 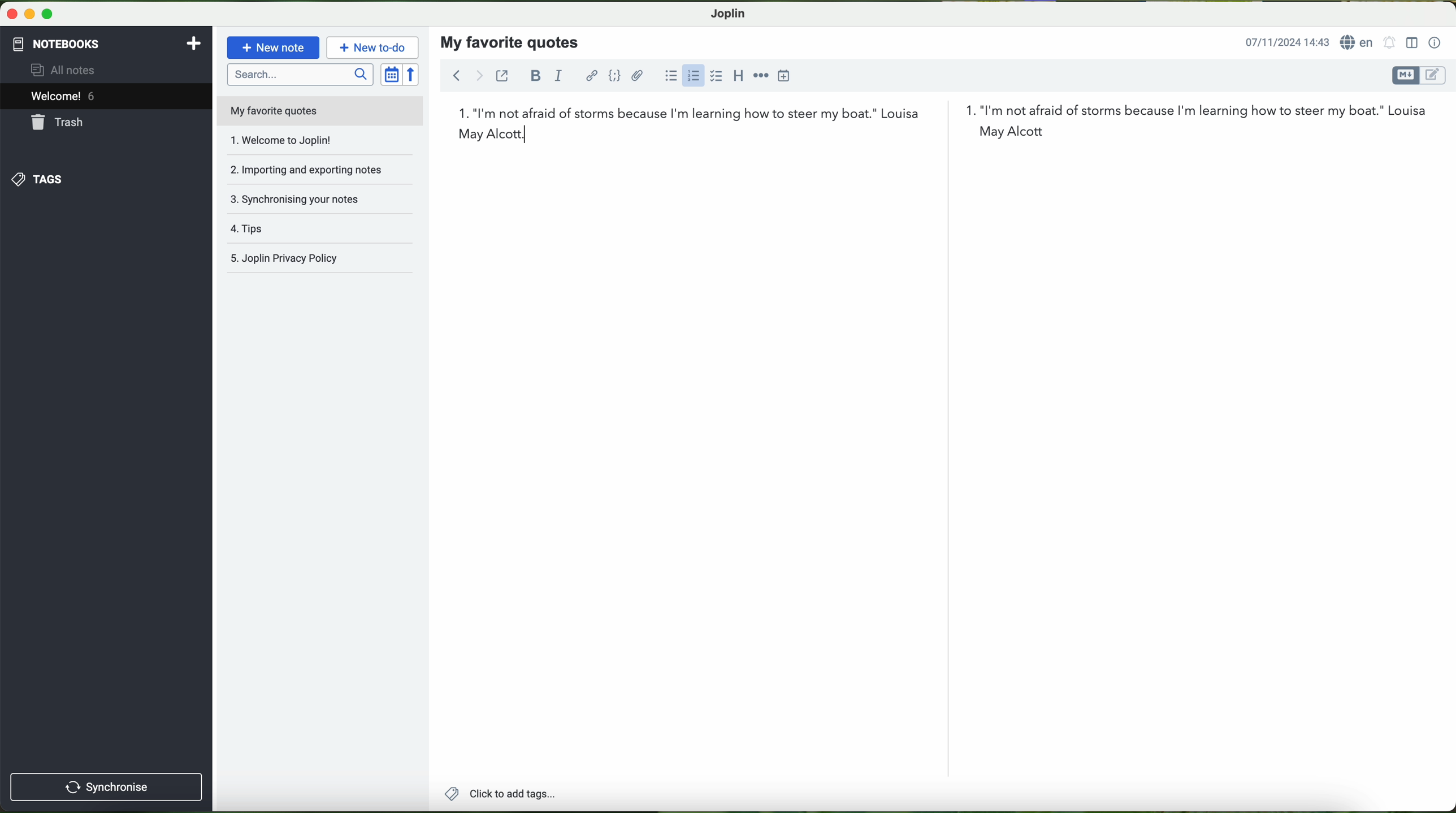 I want to click on tags, so click(x=106, y=179).